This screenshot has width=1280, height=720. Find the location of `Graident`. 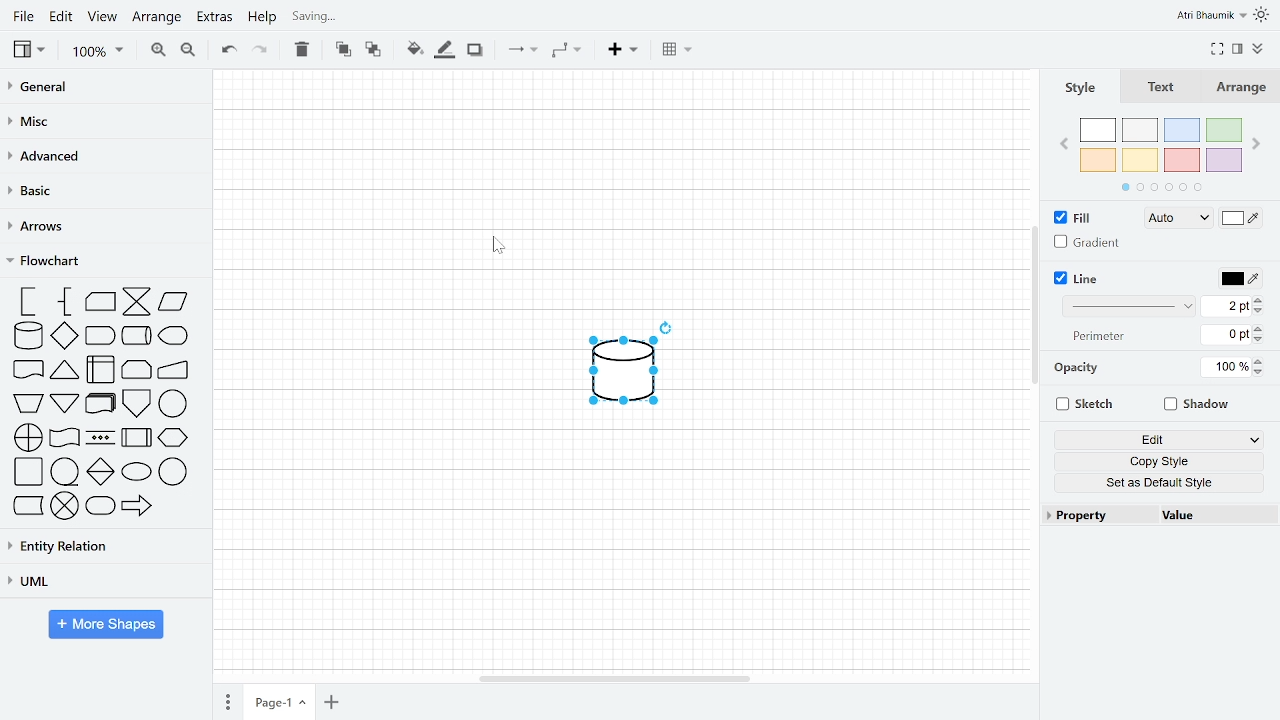

Graident is located at coordinates (1086, 243).